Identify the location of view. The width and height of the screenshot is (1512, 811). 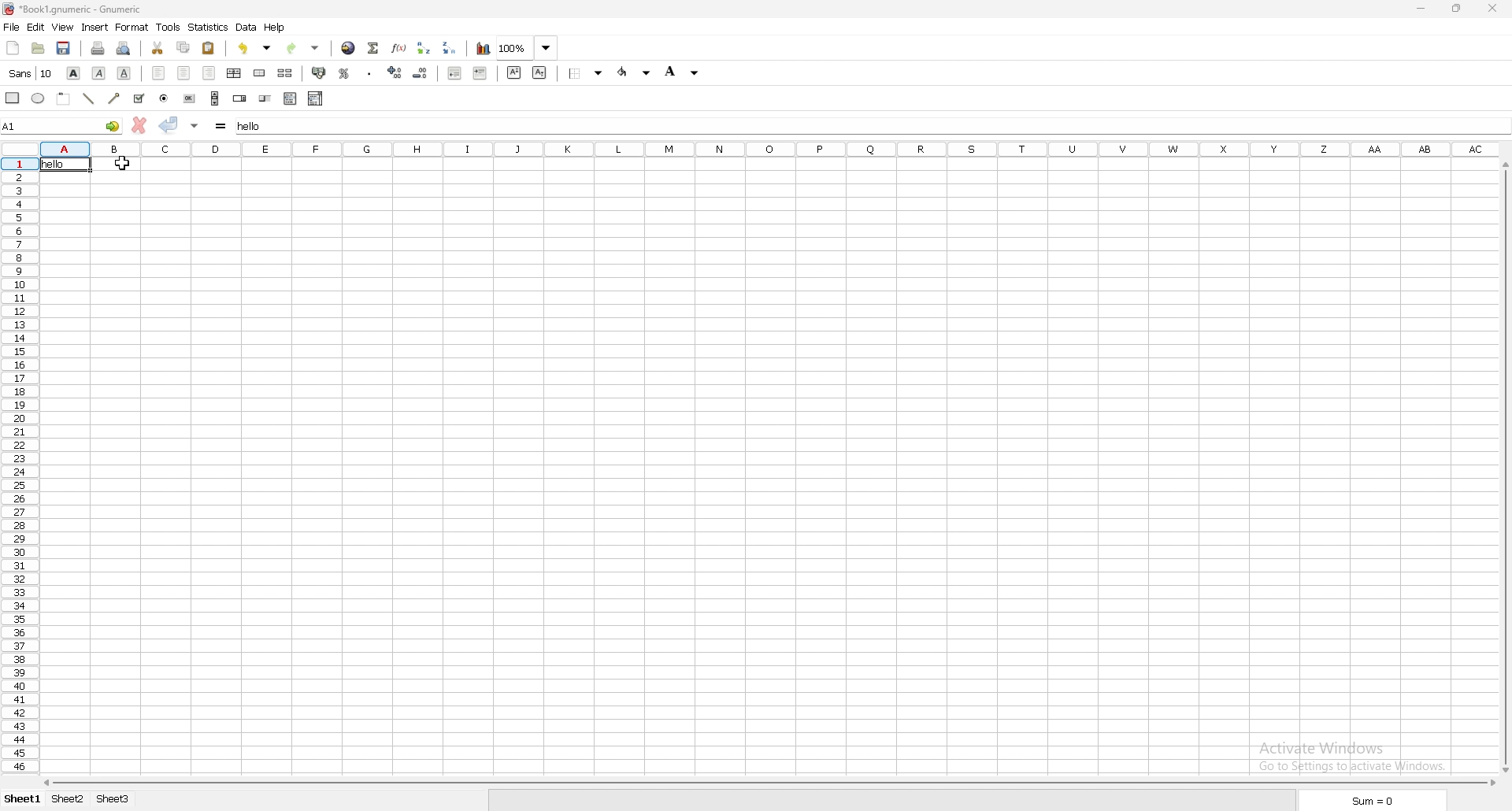
(62, 28).